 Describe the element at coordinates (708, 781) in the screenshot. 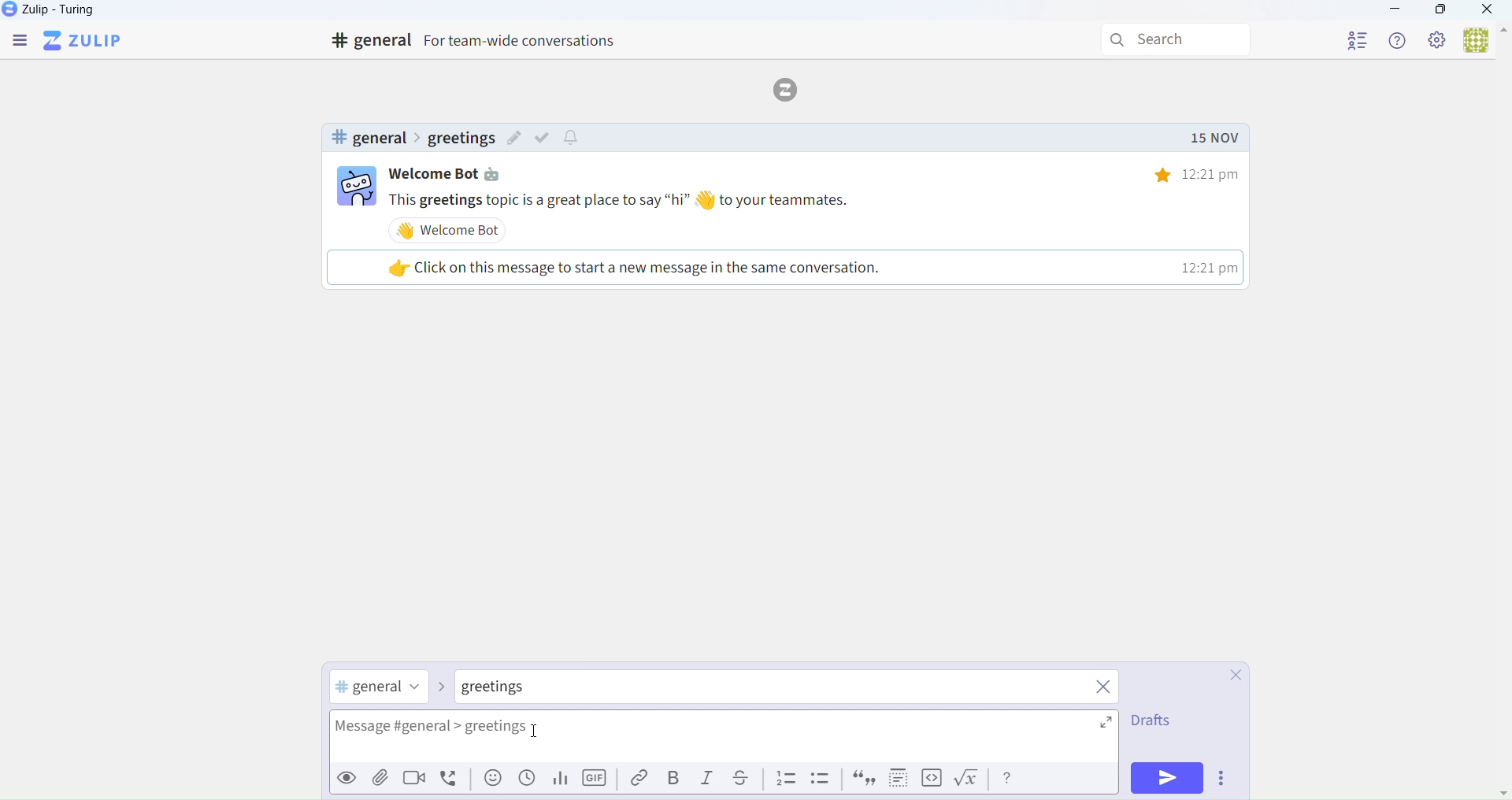

I see `Italic` at that location.